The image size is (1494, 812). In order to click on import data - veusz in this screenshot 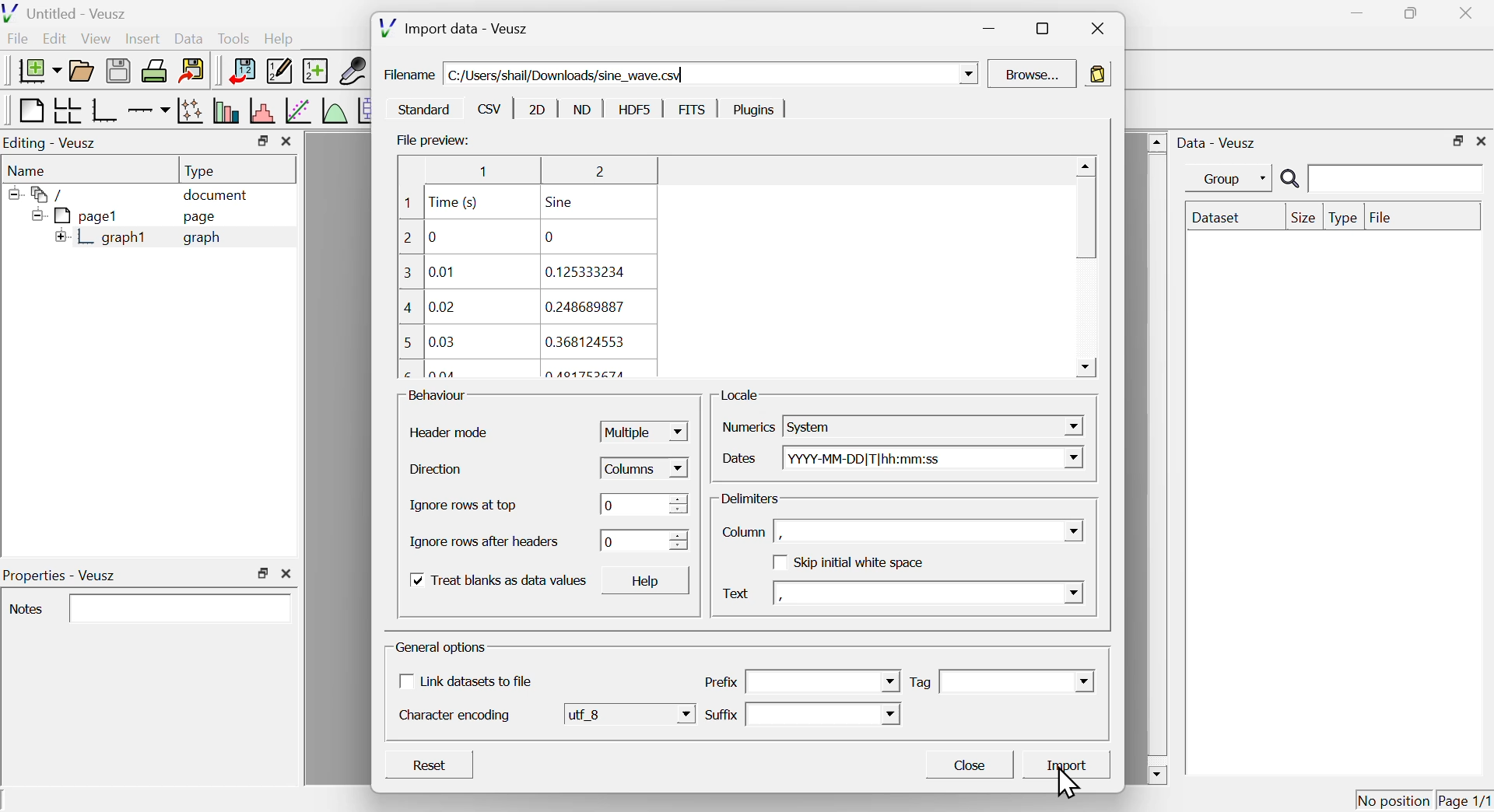, I will do `click(454, 29)`.